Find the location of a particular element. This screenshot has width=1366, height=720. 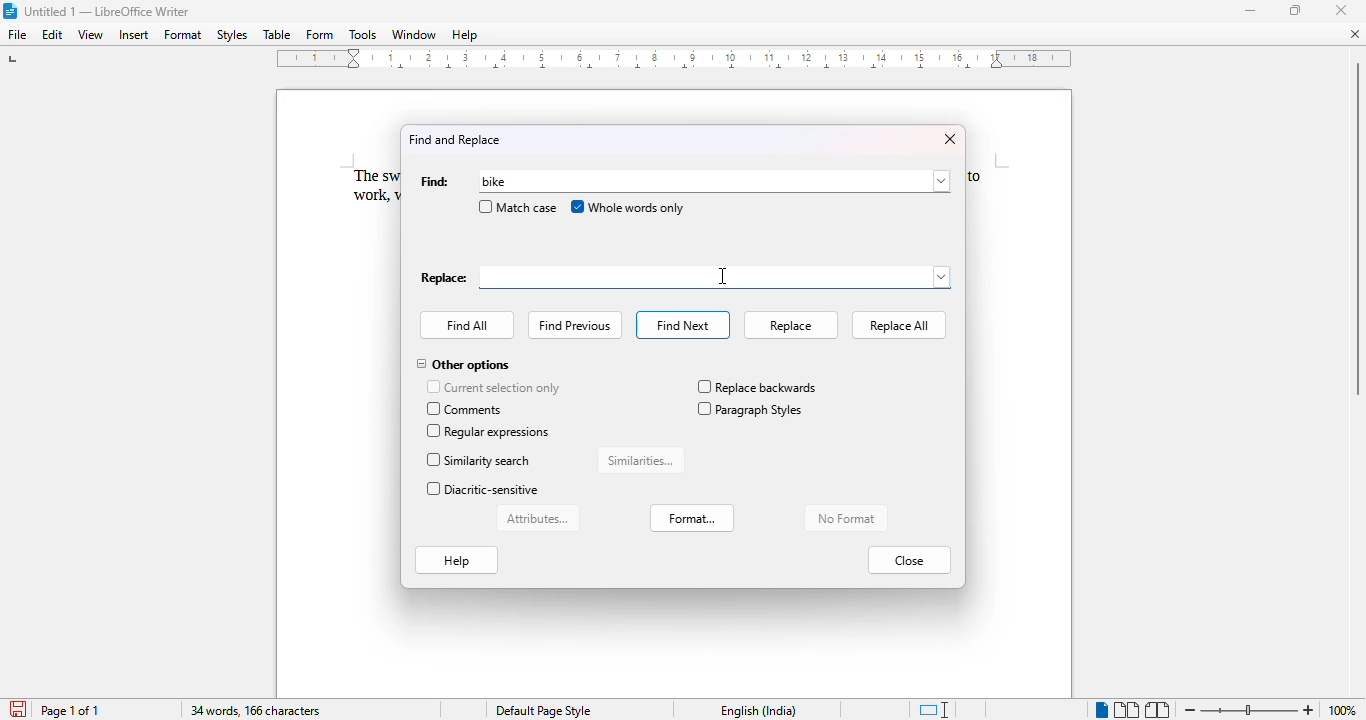

book view is located at coordinates (1159, 711).